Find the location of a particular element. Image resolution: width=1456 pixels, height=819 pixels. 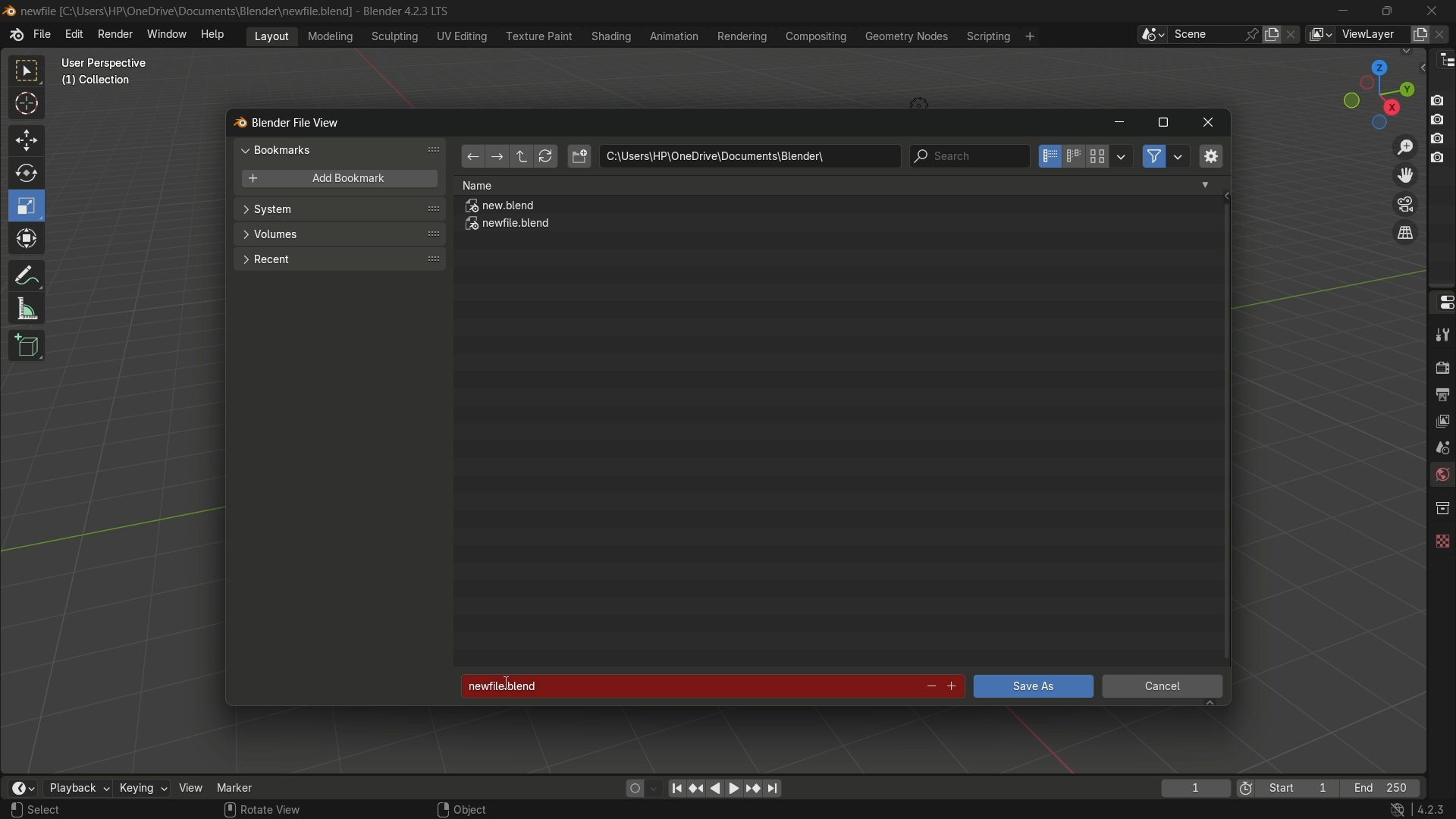

final frame of the playback is located at coordinates (1382, 789).